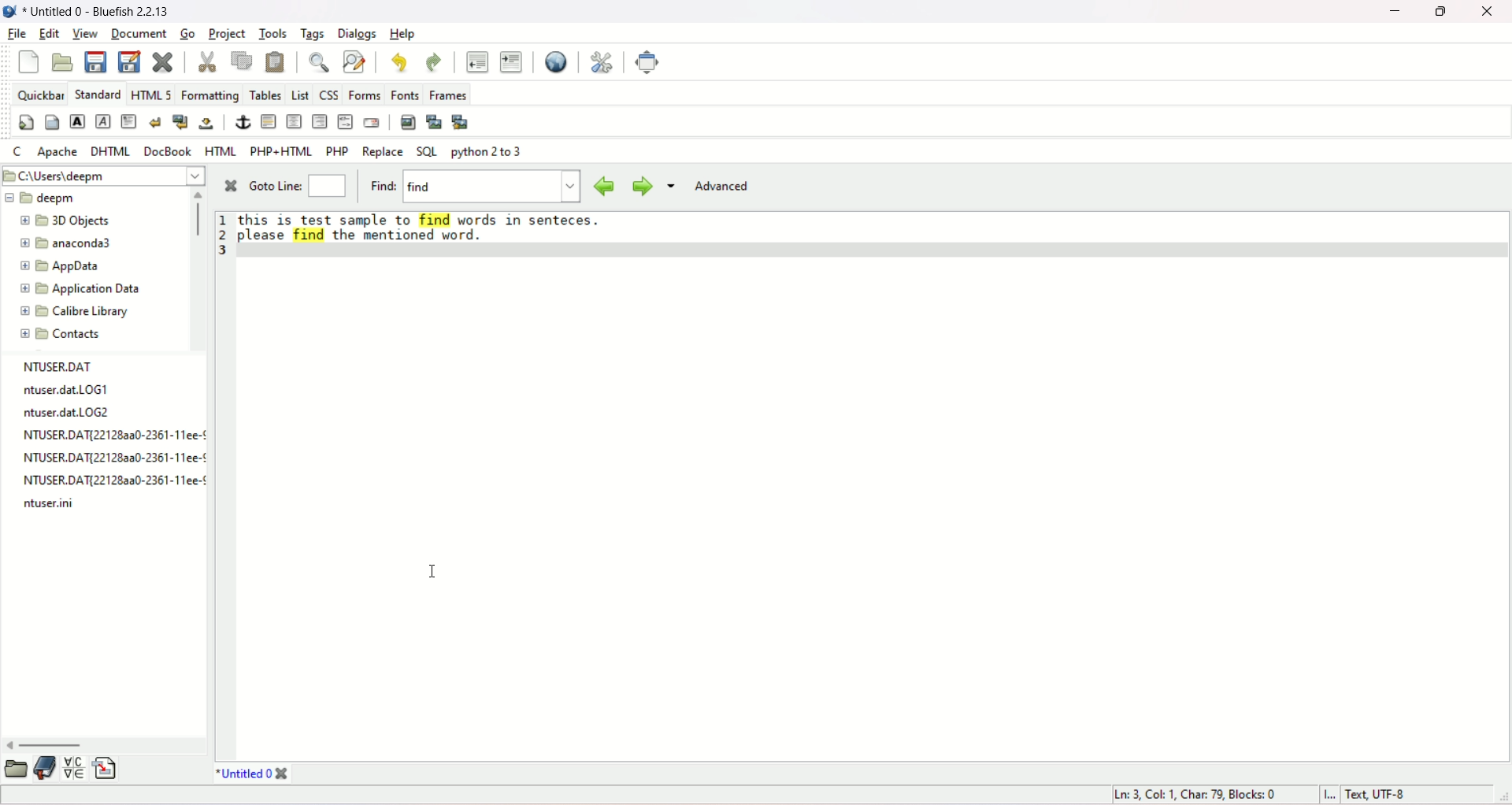 Image resolution: width=1512 pixels, height=805 pixels. What do you see at coordinates (41, 198) in the screenshot?
I see `deepm` at bounding box center [41, 198].